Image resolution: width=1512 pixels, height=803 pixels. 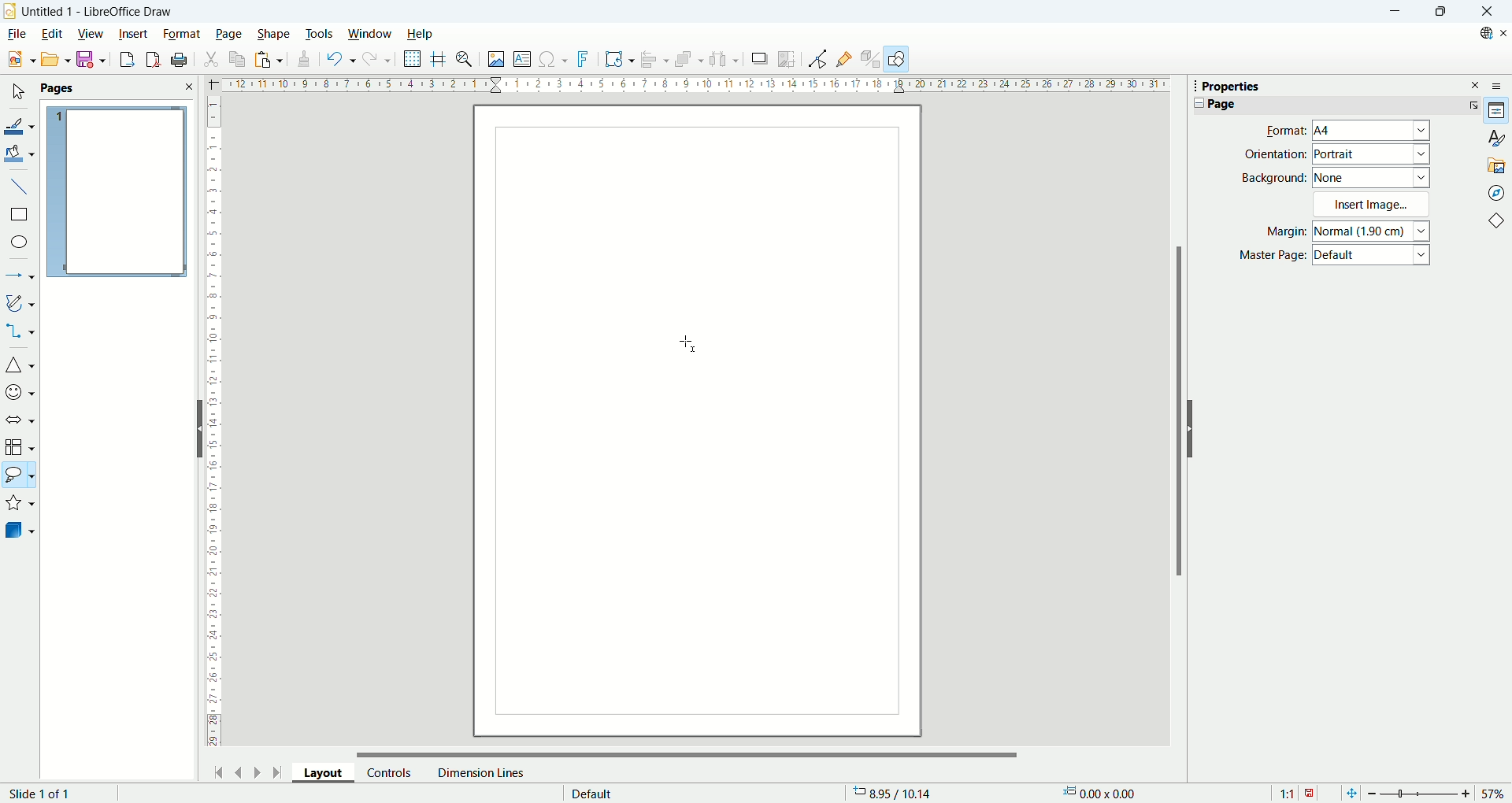 I want to click on Background, so click(x=1274, y=177).